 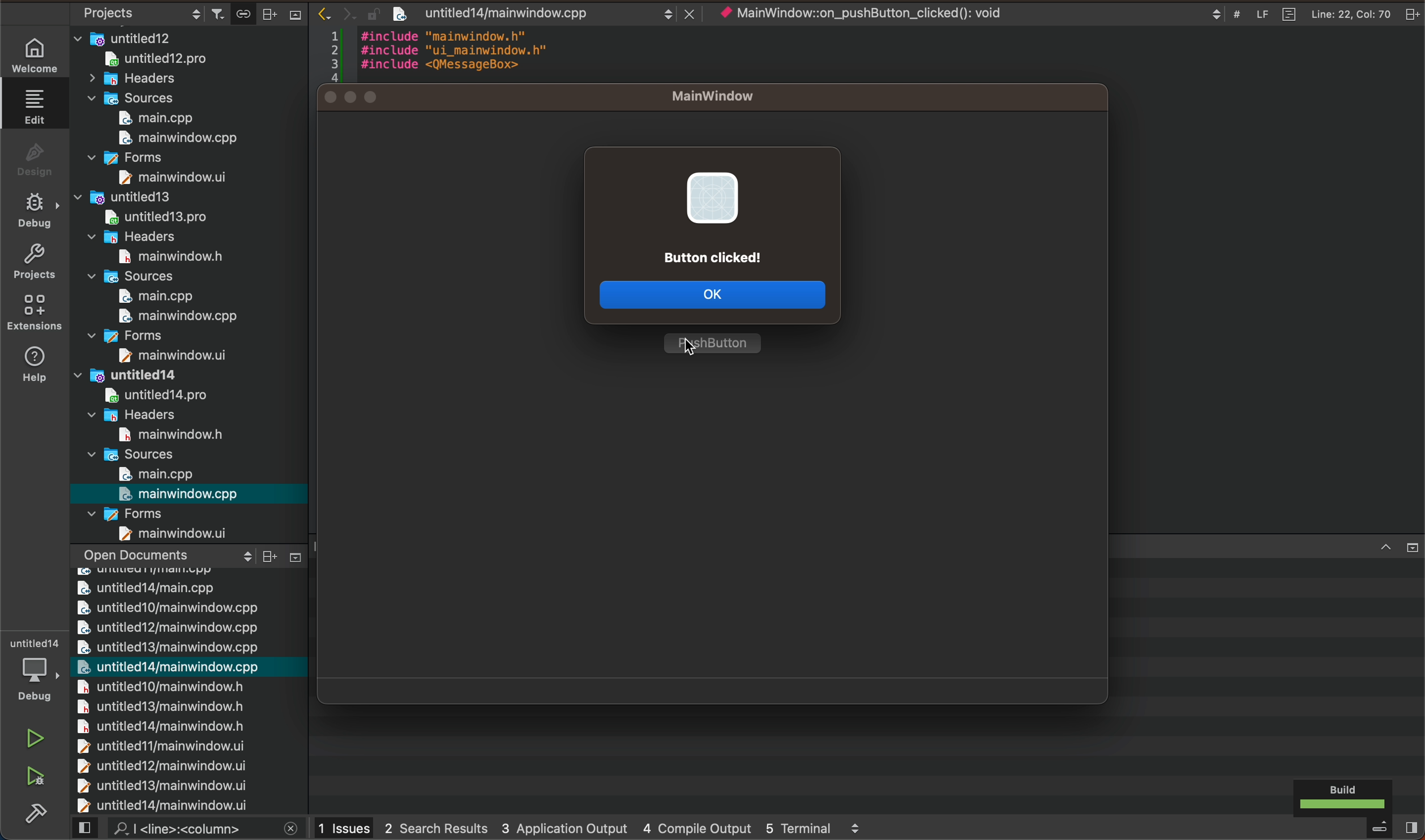 What do you see at coordinates (142, 196) in the screenshot?
I see `untitled13` at bounding box center [142, 196].